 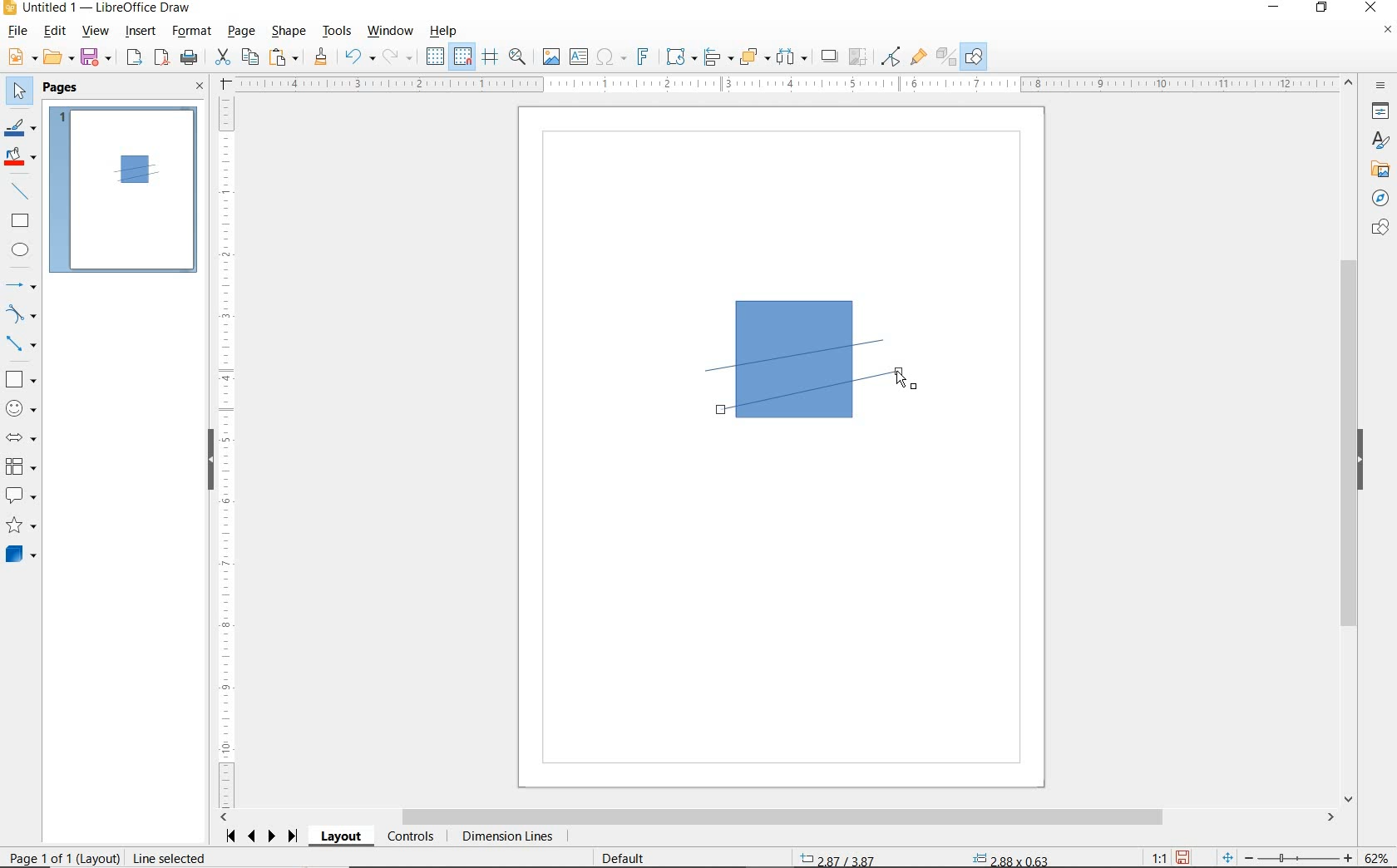 I want to click on SHADOW, so click(x=830, y=57).